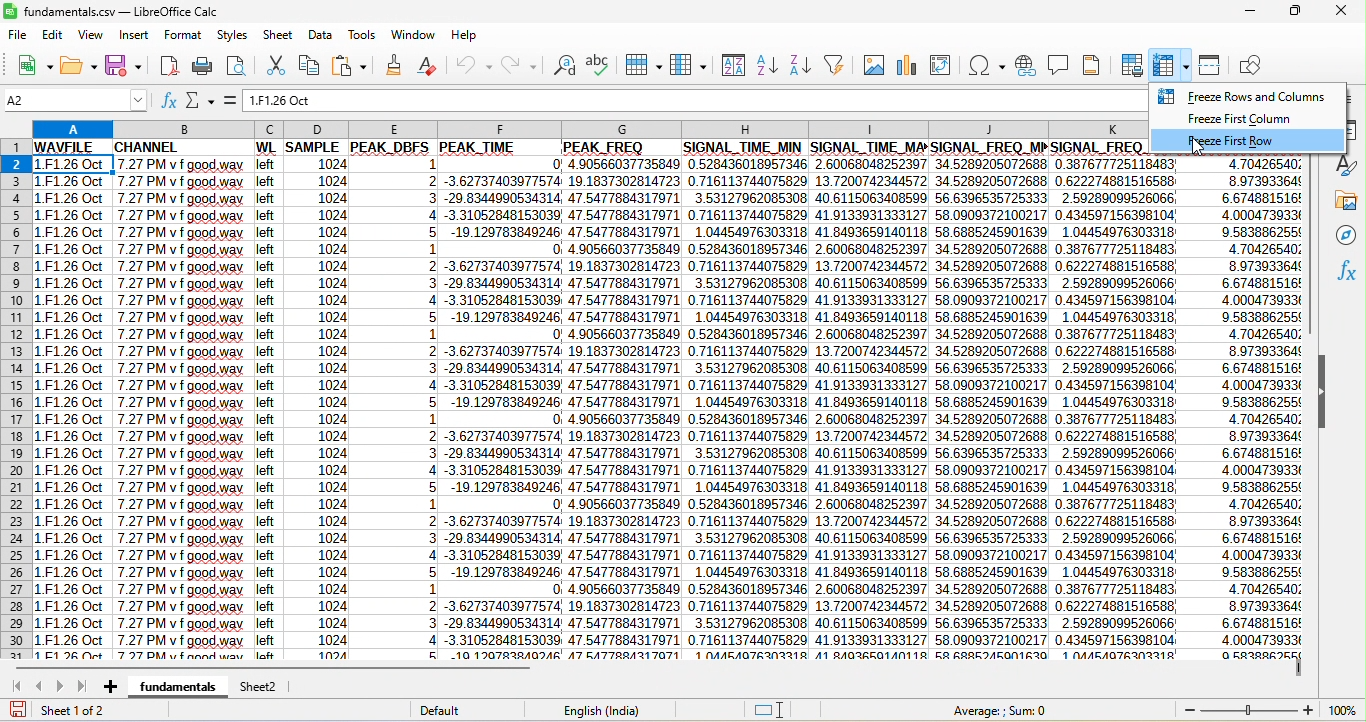  What do you see at coordinates (62, 683) in the screenshot?
I see `next sheet` at bounding box center [62, 683].